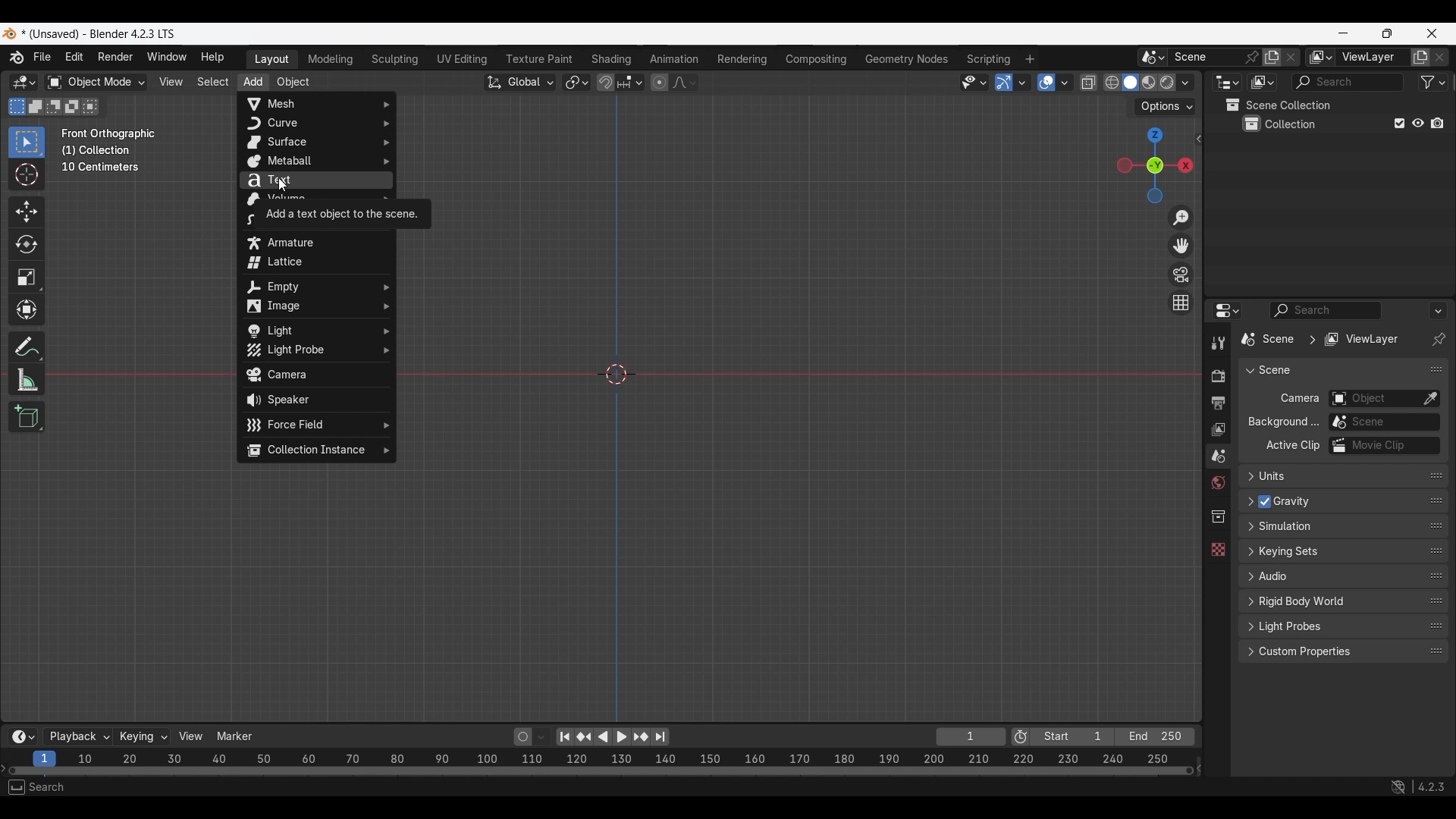 The height and width of the screenshot is (819, 1456). I want to click on Camera, so click(316, 375).